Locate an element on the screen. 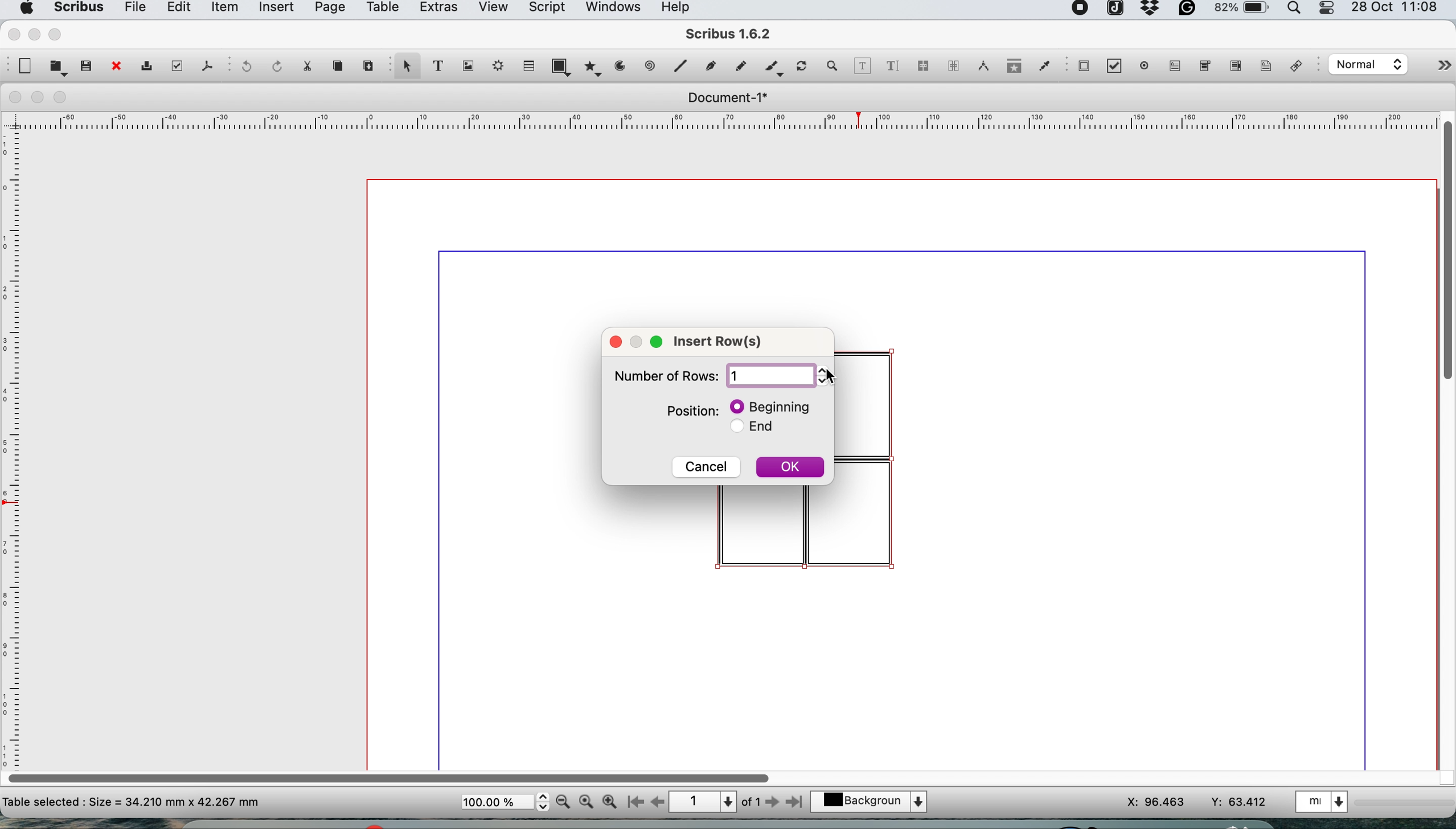 The height and width of the screenshot is (829, 1456). maximize is located at coordinates (659, 342).